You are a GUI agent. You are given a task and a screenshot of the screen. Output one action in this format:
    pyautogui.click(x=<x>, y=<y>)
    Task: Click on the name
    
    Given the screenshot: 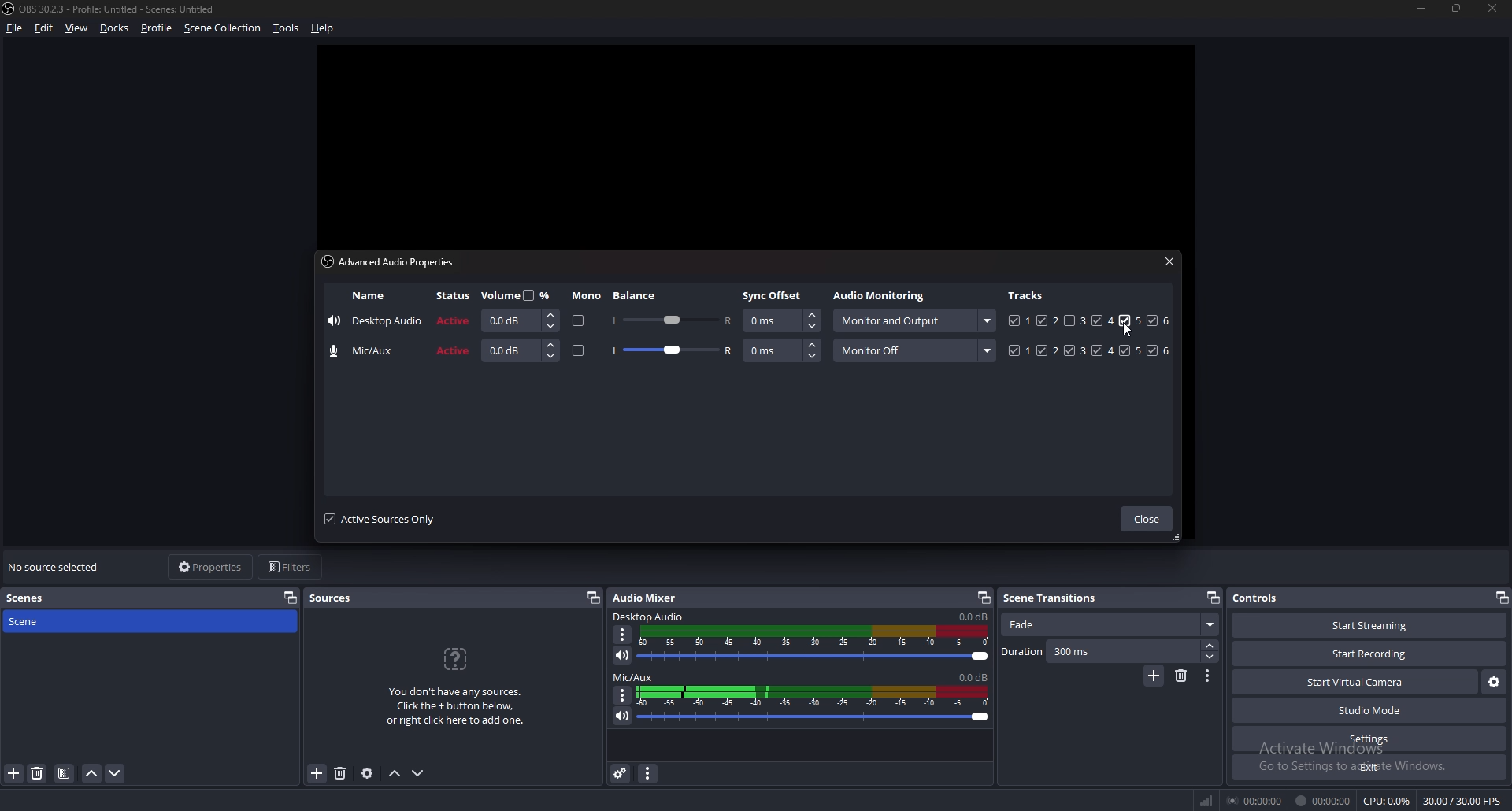 What is the action you would take?
    pyautogui.click(x=369, y=296)
    